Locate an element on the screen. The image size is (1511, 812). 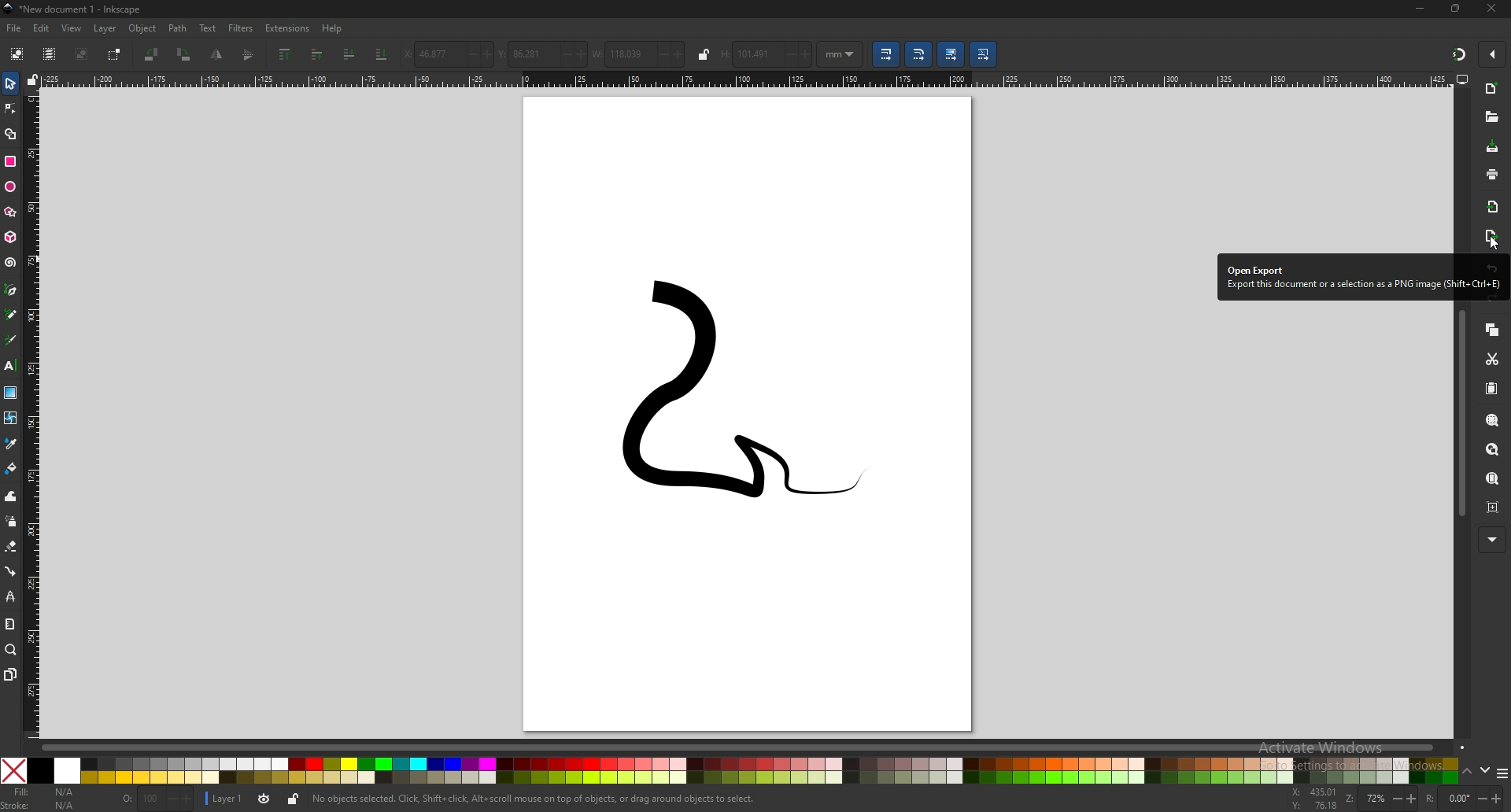
file is located at coordinates (15, 29).